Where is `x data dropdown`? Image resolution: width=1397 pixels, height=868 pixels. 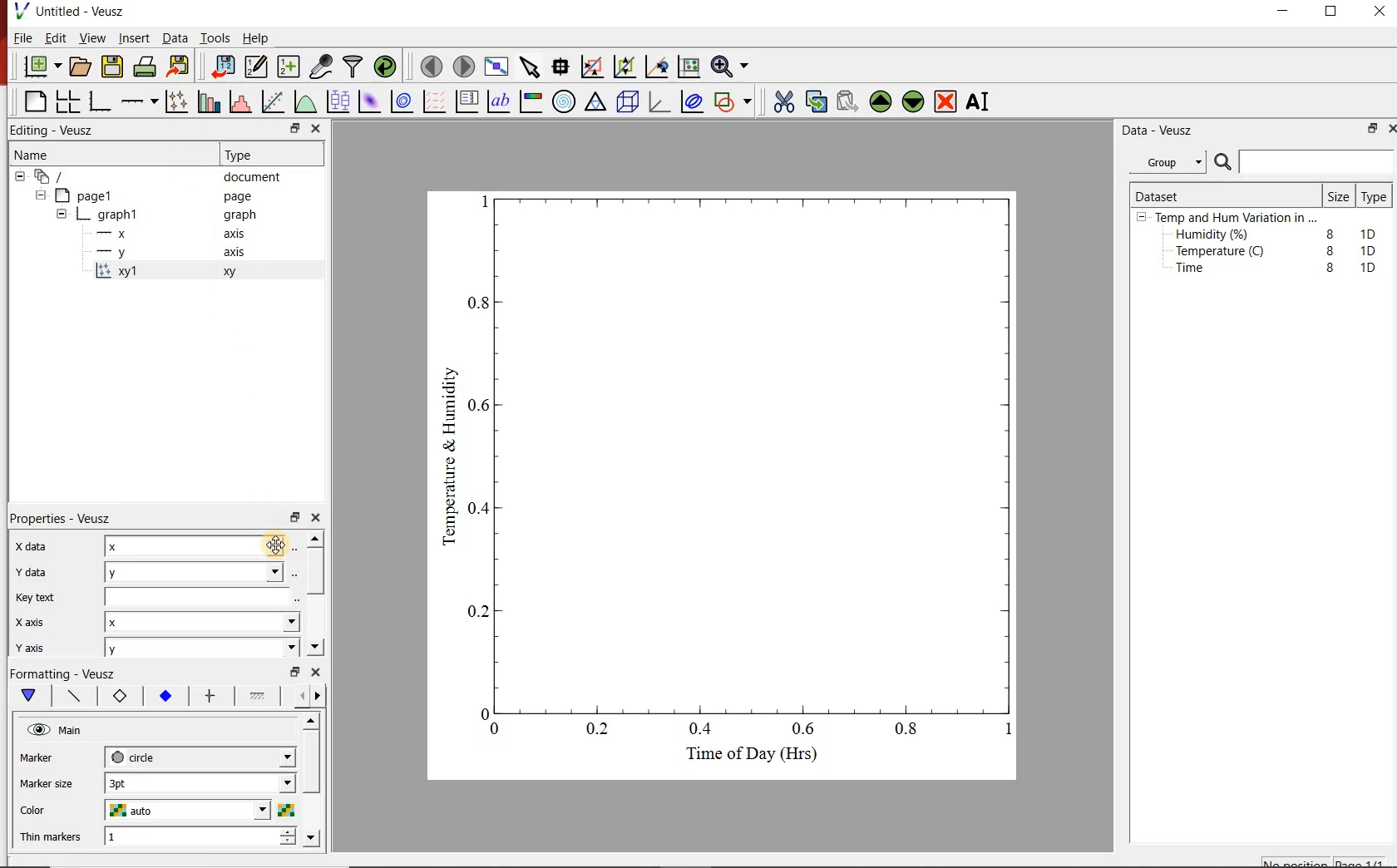
x data dropdown is located at coordinates (250, 547).